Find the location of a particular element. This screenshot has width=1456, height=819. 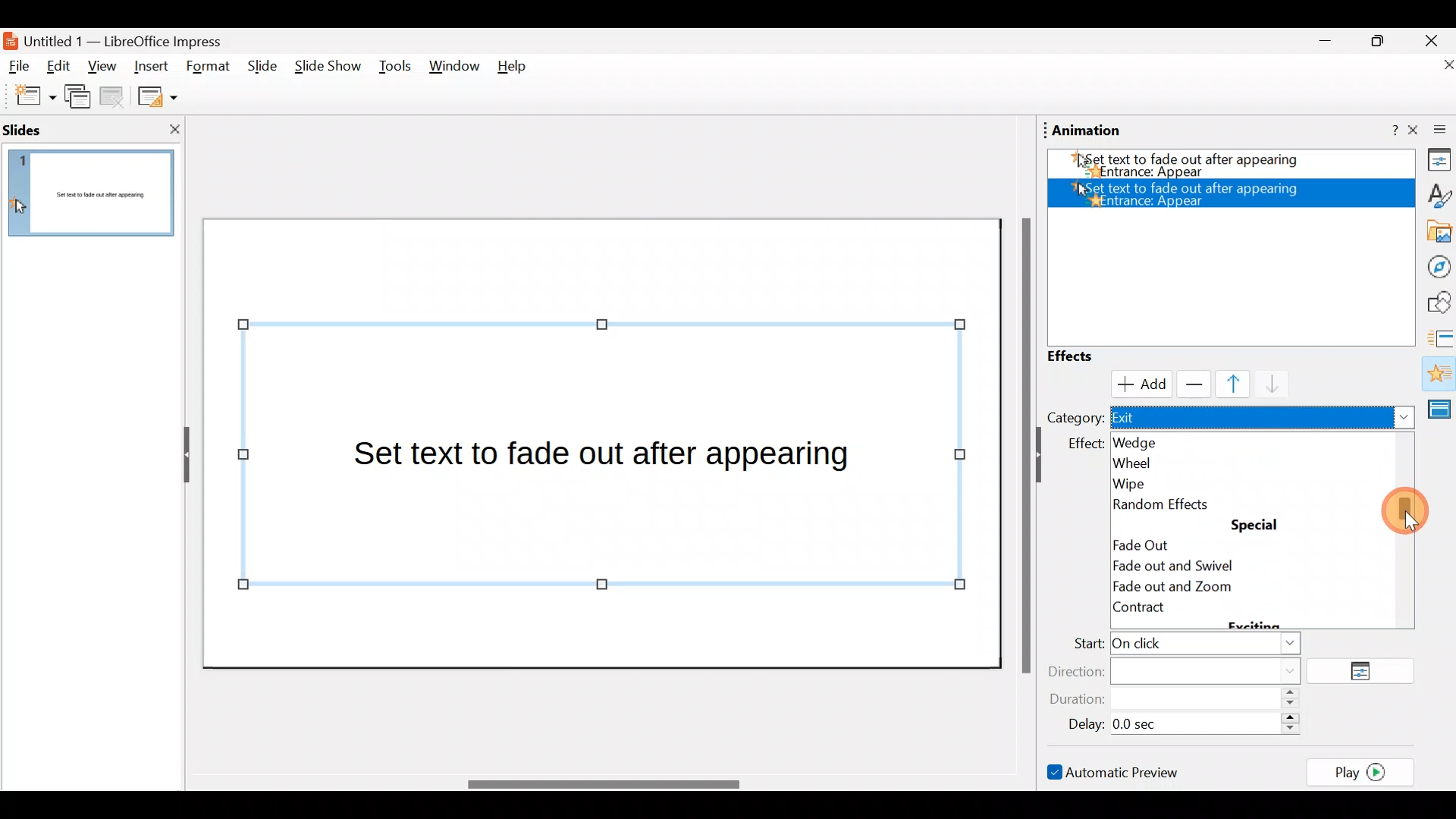

Appear effect added is located at coordinates (1225, 167).